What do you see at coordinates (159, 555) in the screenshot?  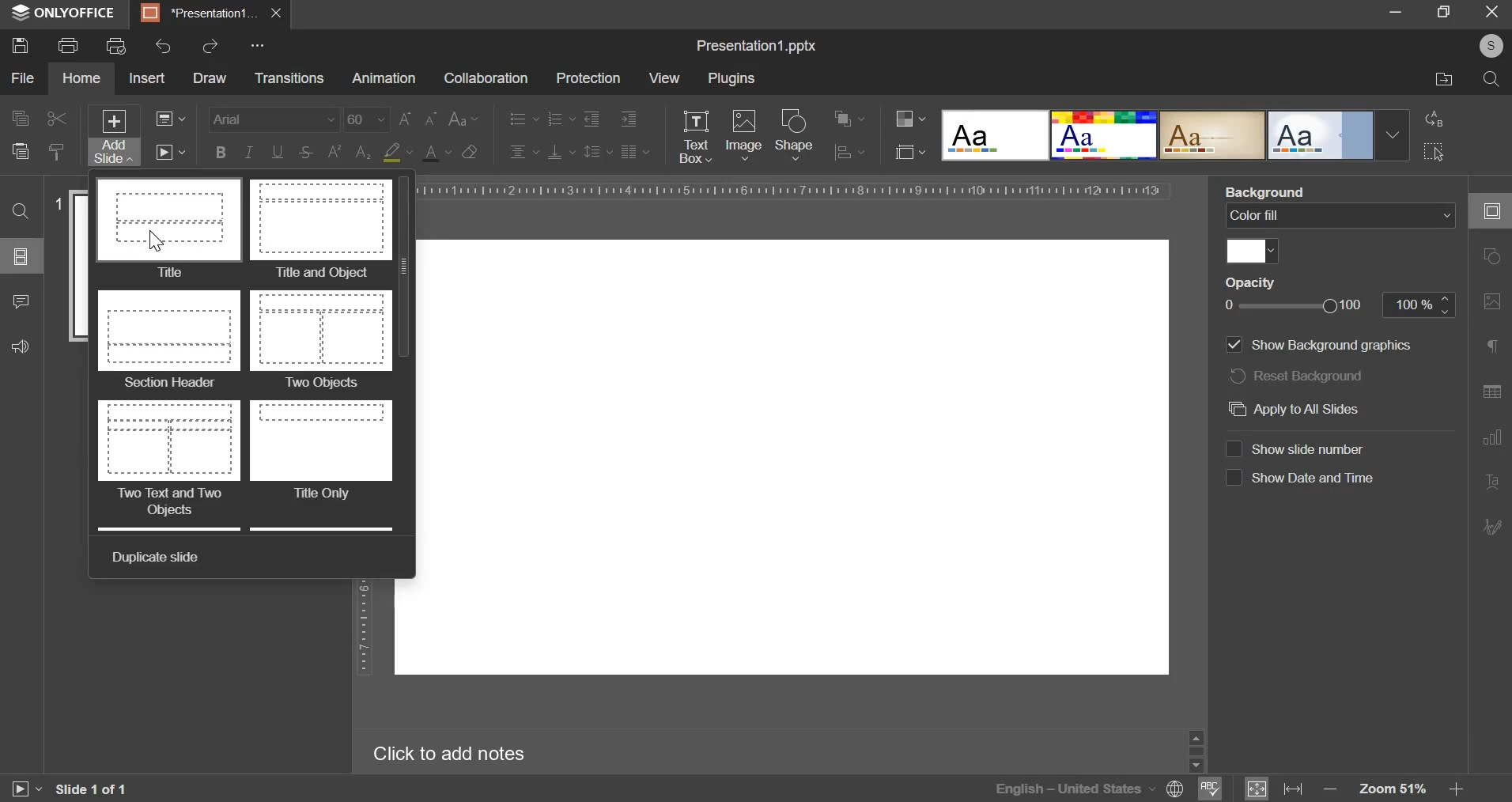 I see `duplicate slide` at bounding box center [159, 555].